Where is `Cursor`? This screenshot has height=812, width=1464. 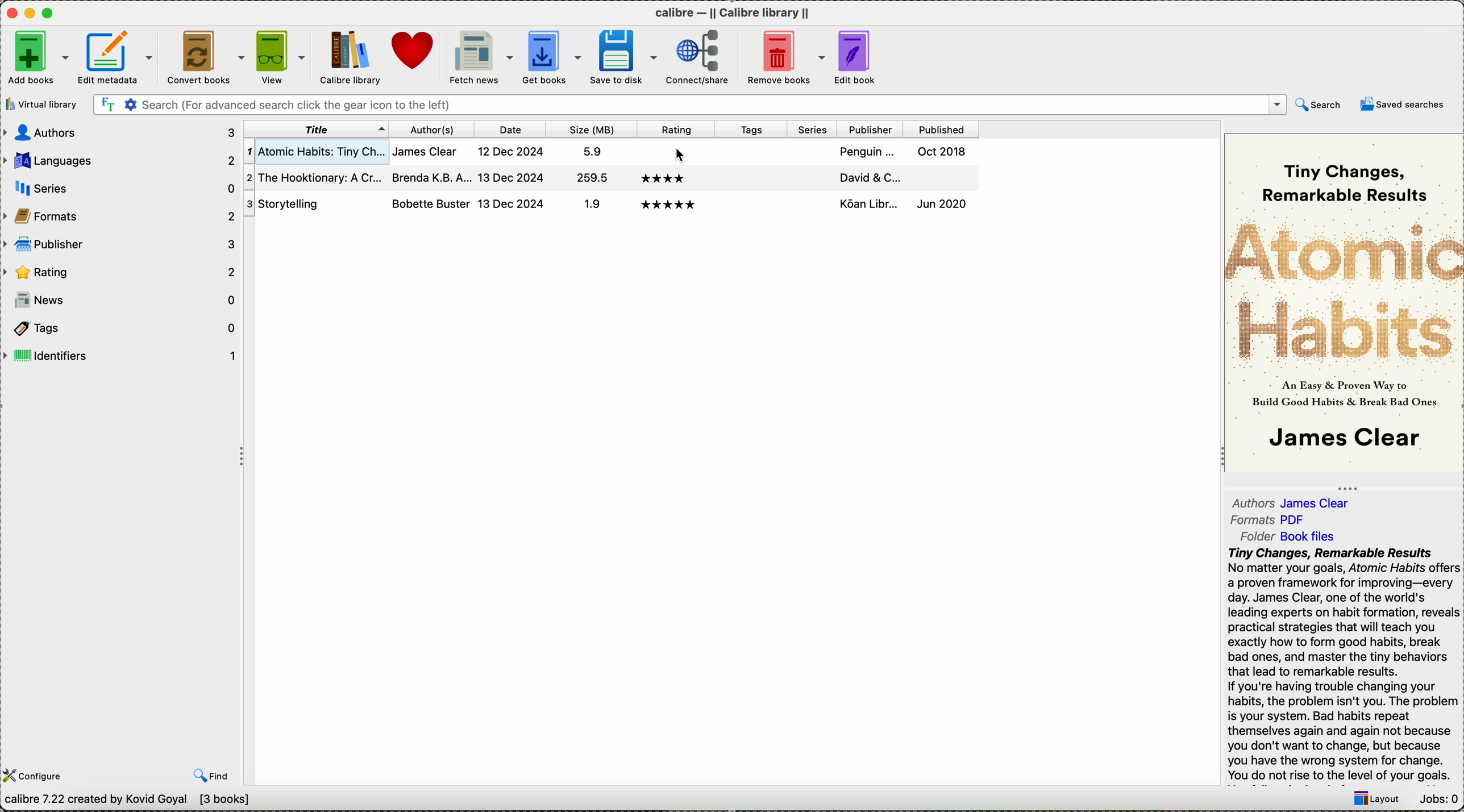 Cursor is located at coordinates (688, 157).